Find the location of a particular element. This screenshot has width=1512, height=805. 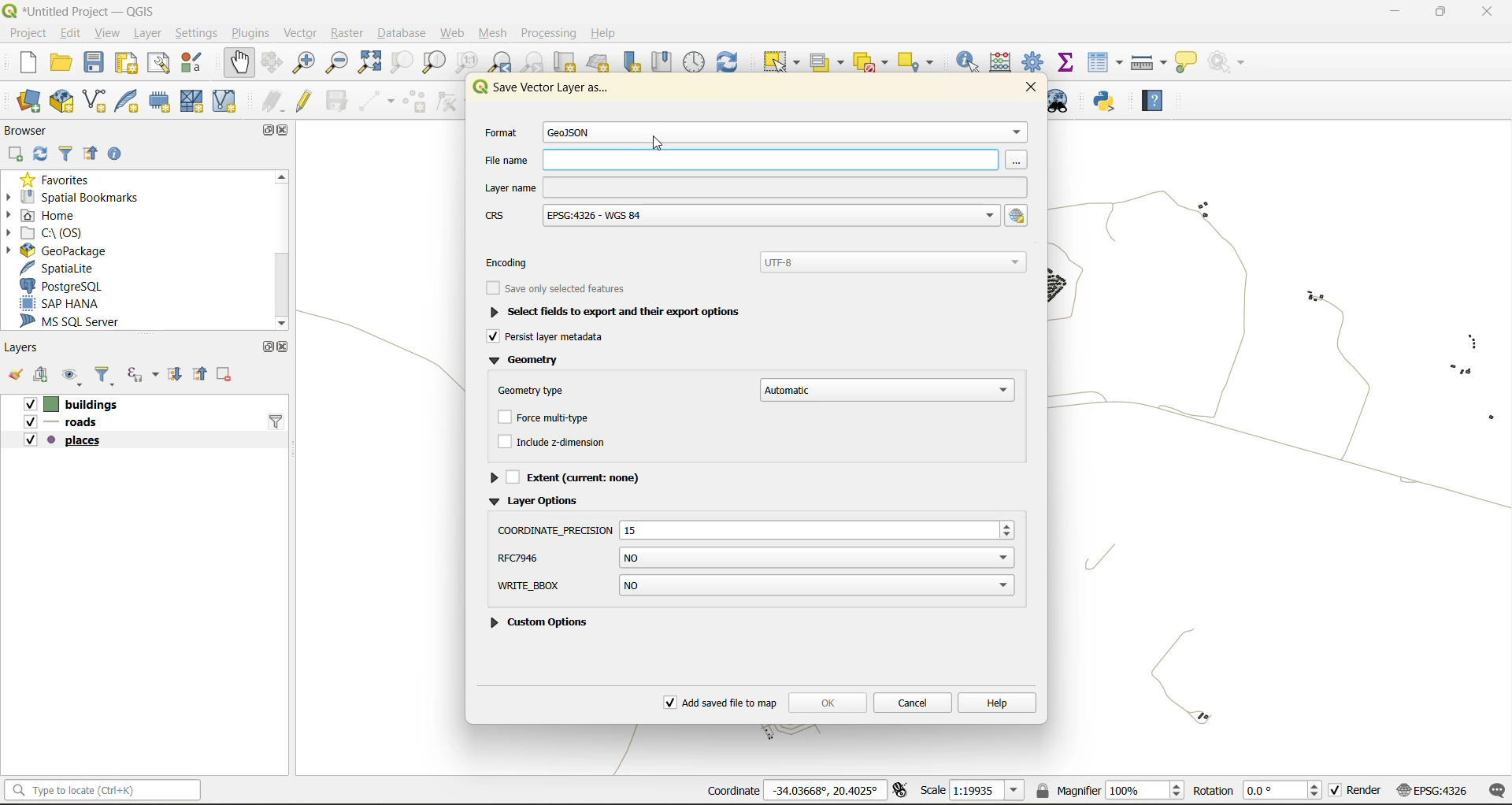

 places is located at coordinates (65, 443).